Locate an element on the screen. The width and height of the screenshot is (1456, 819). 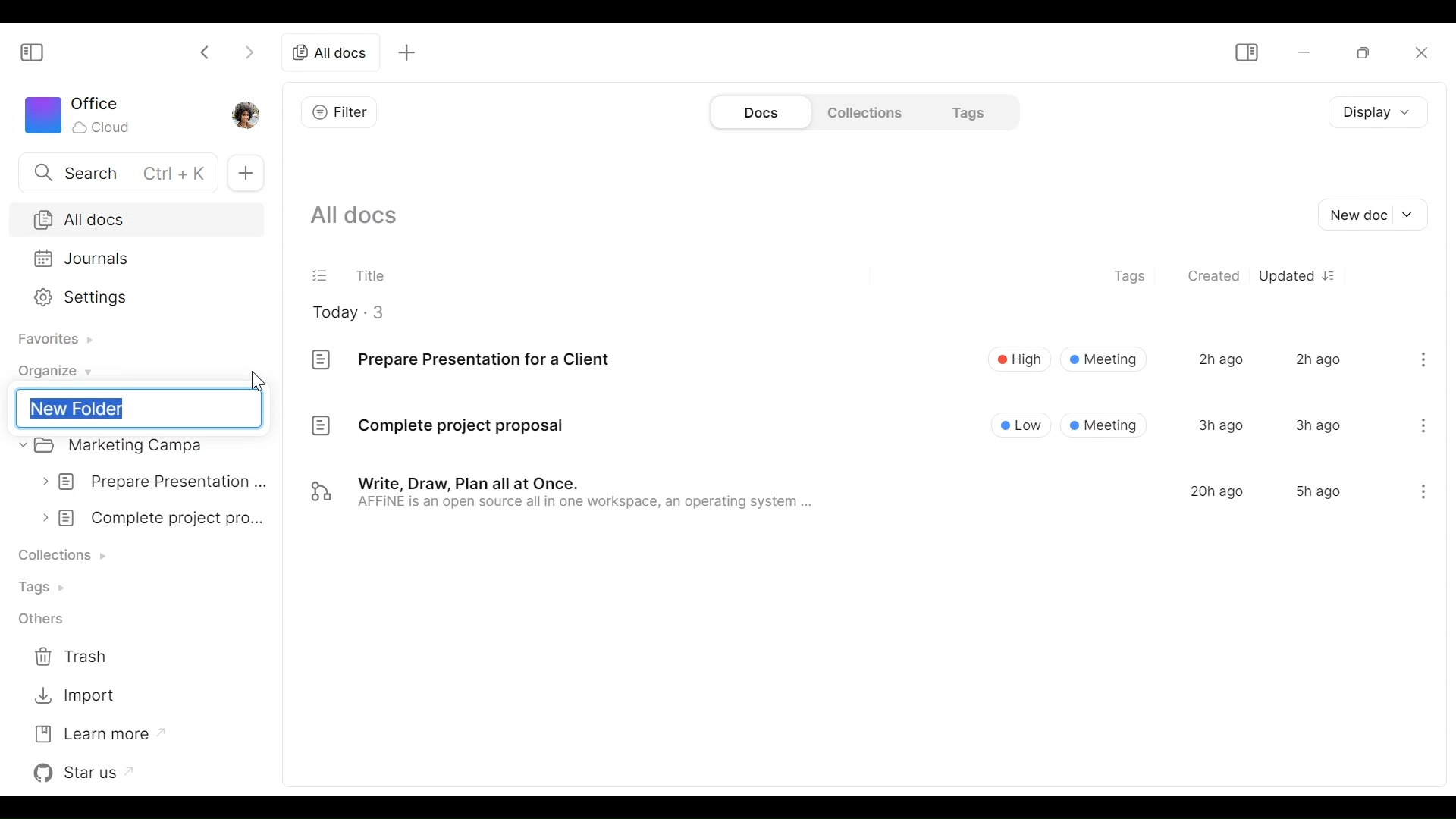
Display is located at coordinates (1373, 114).